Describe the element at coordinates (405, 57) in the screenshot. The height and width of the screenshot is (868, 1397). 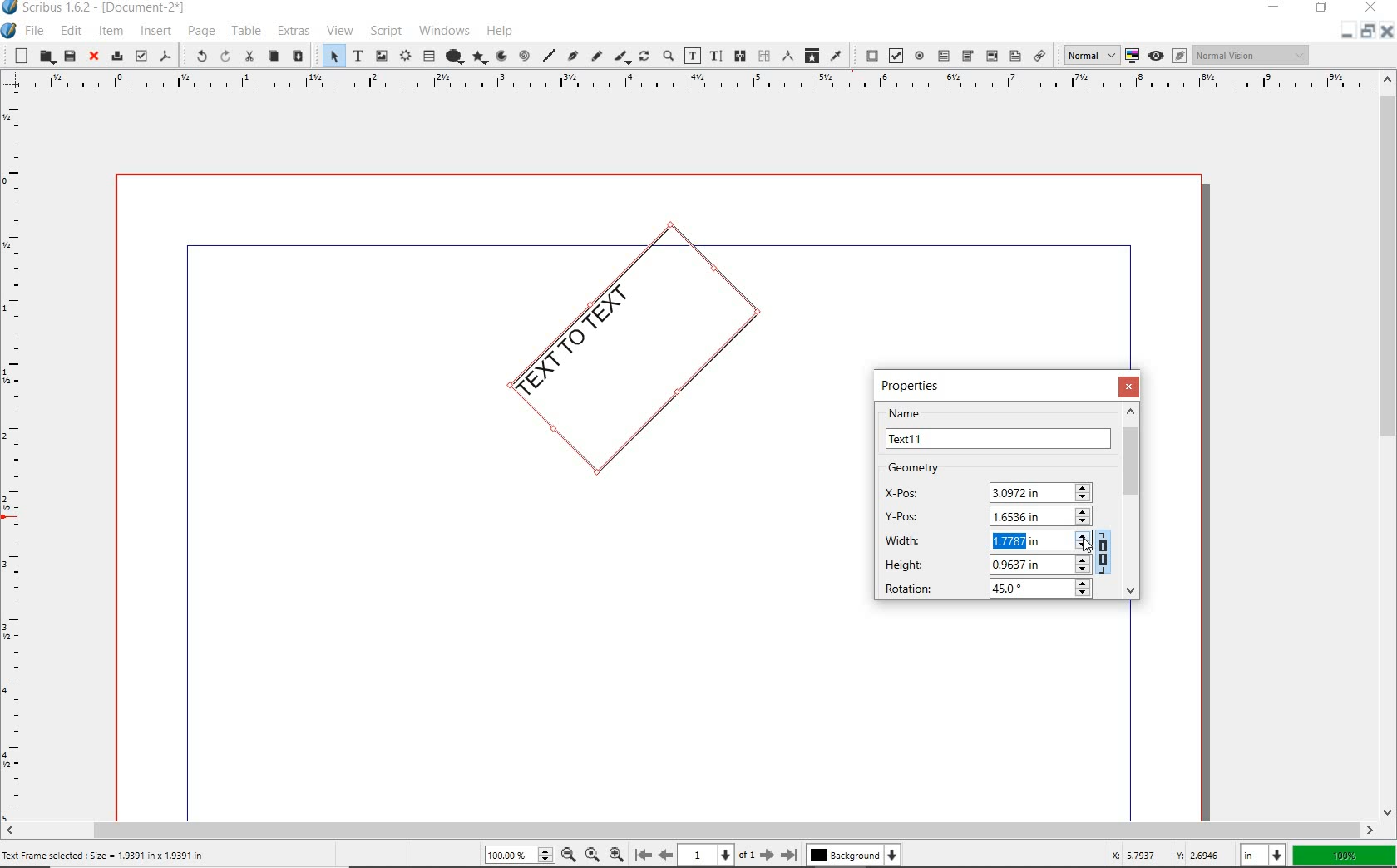
I see `render frame` at that location.